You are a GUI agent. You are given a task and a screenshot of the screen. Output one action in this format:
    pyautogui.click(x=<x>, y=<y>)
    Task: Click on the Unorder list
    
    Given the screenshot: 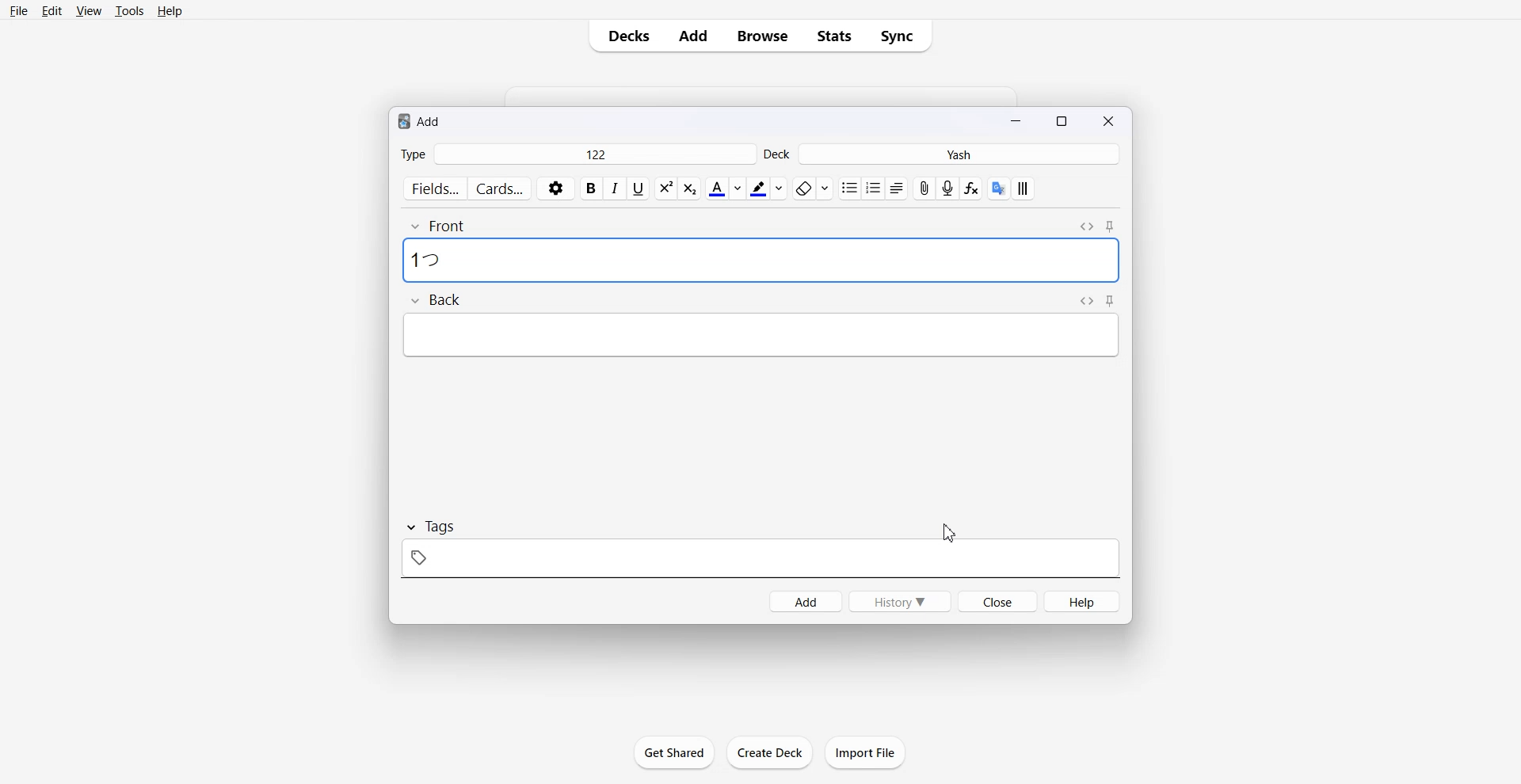 What is the action you would take?
    pyautogui.click(x=848, y=188)
    